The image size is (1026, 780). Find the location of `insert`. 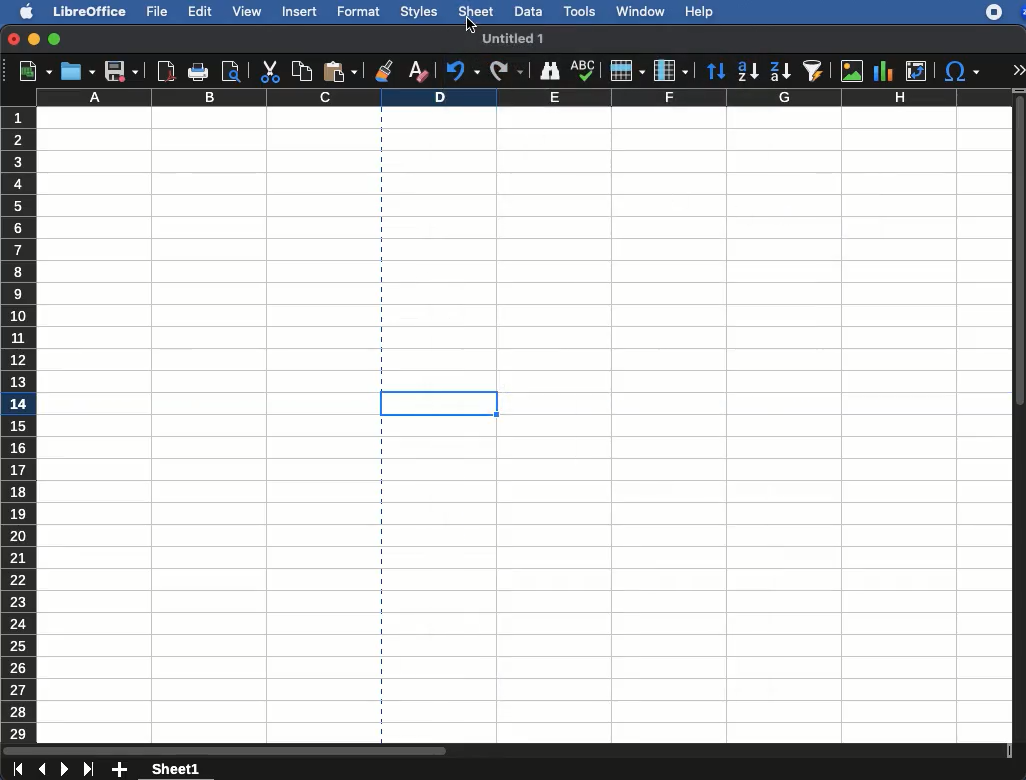

insert is located at coordinates (301, 11).